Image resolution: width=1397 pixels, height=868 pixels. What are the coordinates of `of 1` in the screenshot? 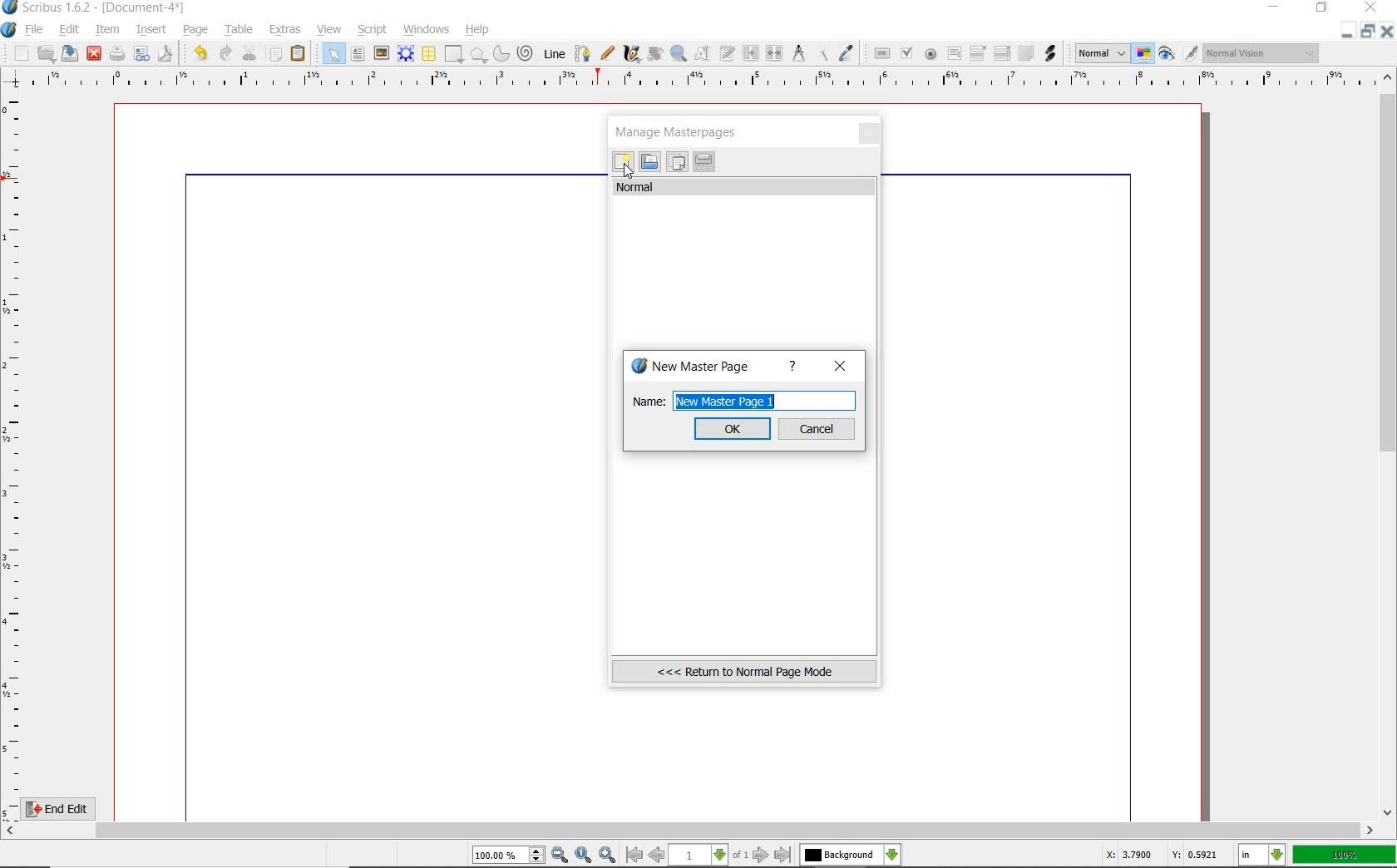 It's located at (740, 856).